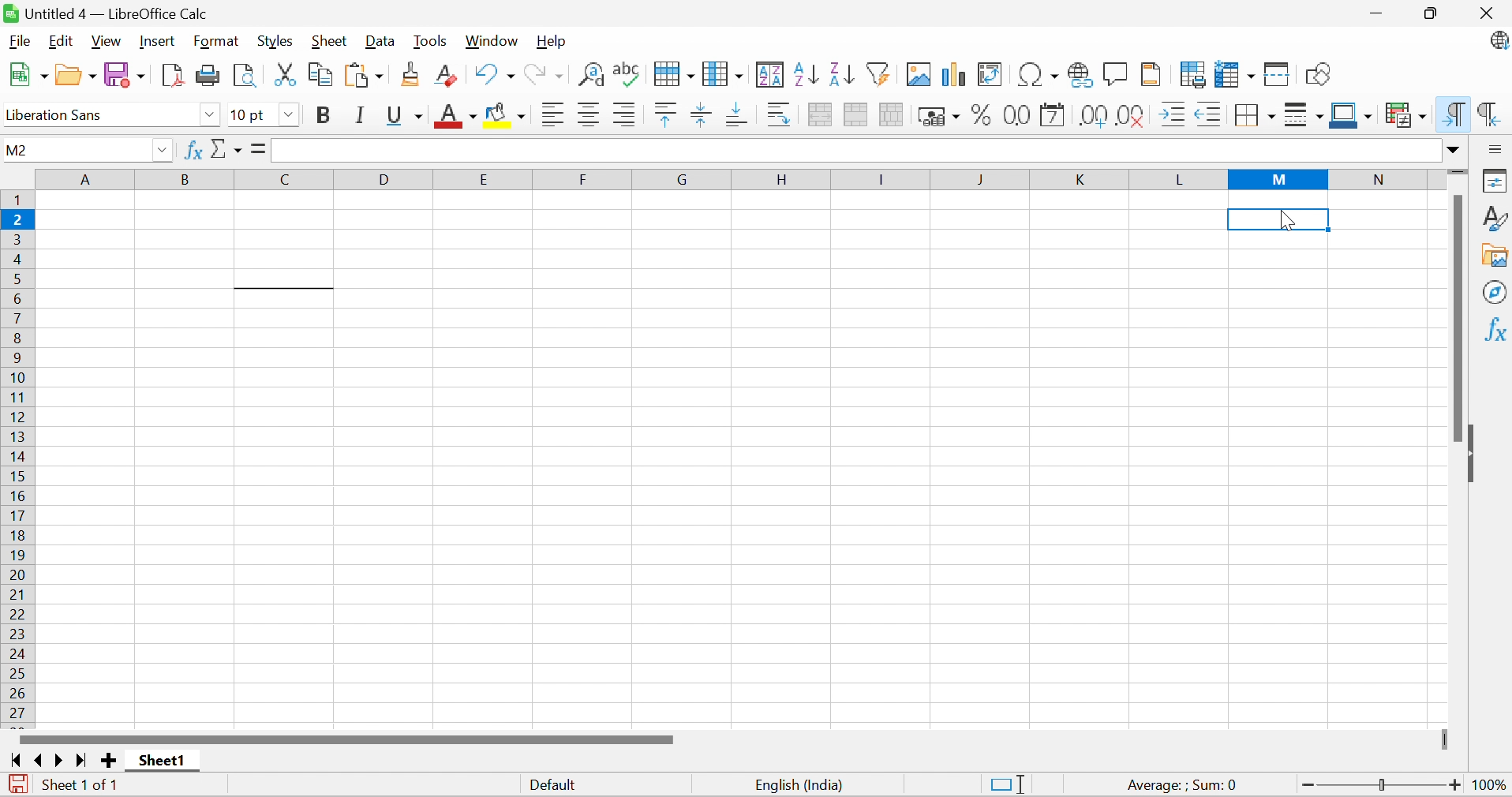 This screenshot has width=1512, height=797. What do you see at coordinates (445, 77) in the screenshot?
I see `Clear direct formatting` at bounding box center [445, 77].